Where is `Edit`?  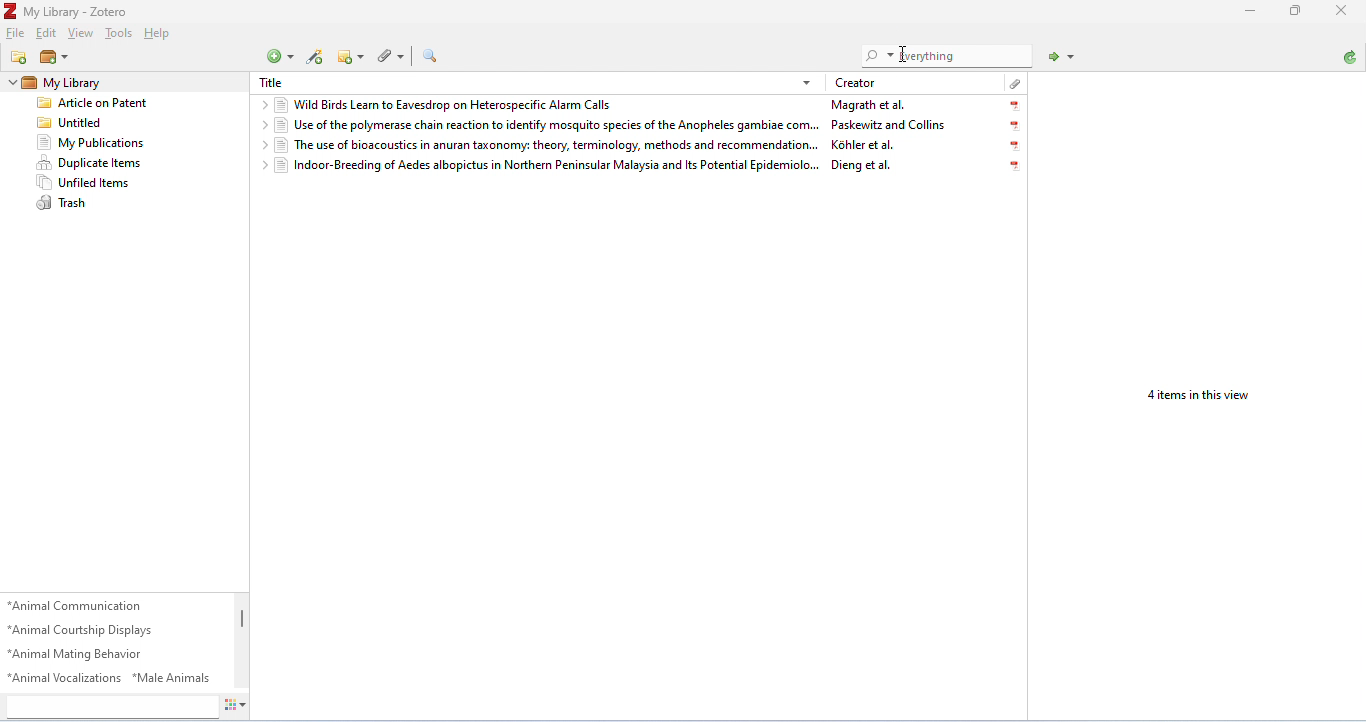
Edit is located at coordinates (46, 34).